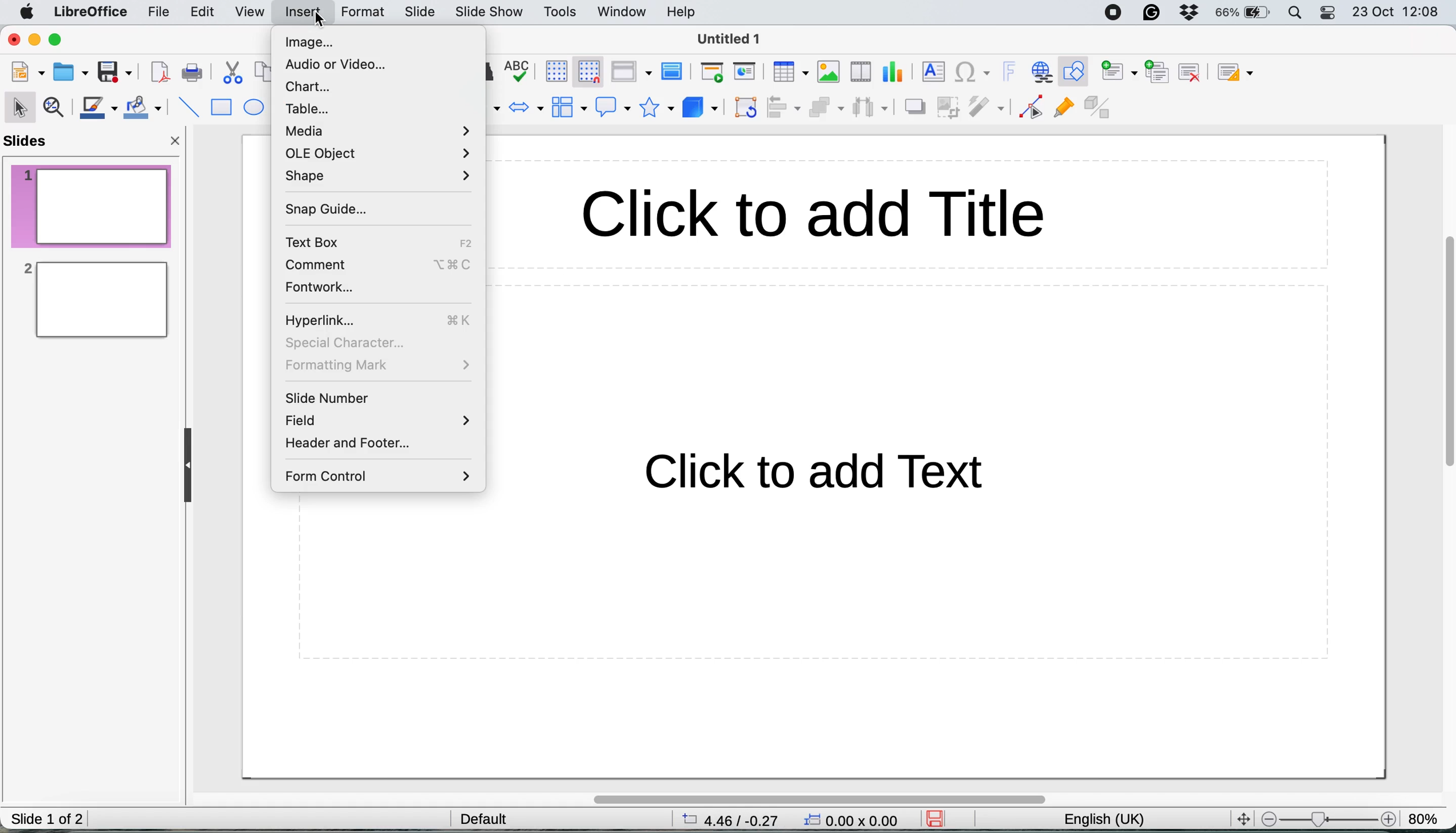 The image size is (1456, 833). What do you see at coordinates (491, 14) in the screenshot?
I see `slide show` at bounding box center [491, 14].